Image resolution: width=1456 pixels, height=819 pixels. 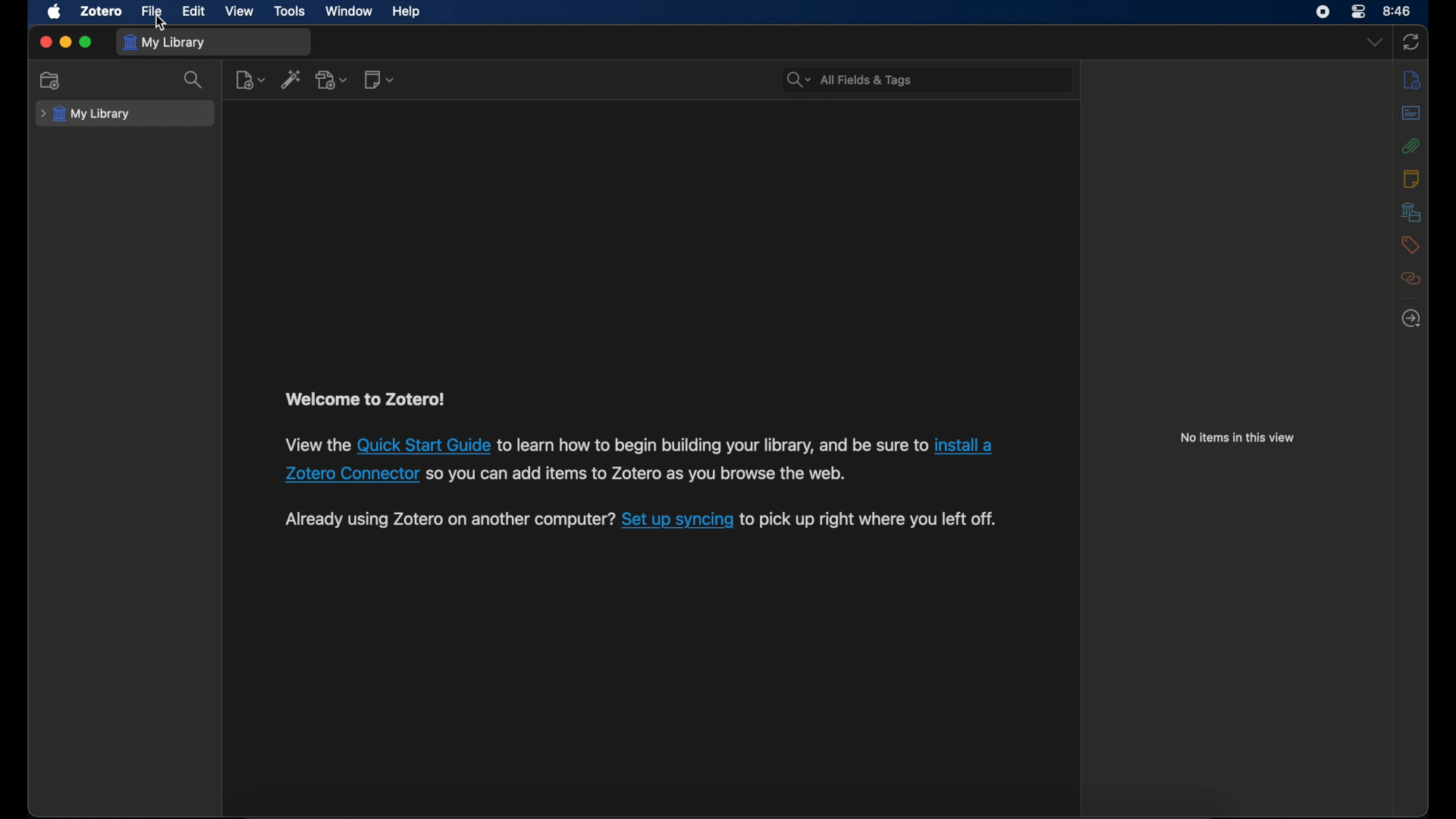 What do you see at coordinates (423, 446) in the screenshot?
I see `quick start guide link` at bounding box center [423, 446].